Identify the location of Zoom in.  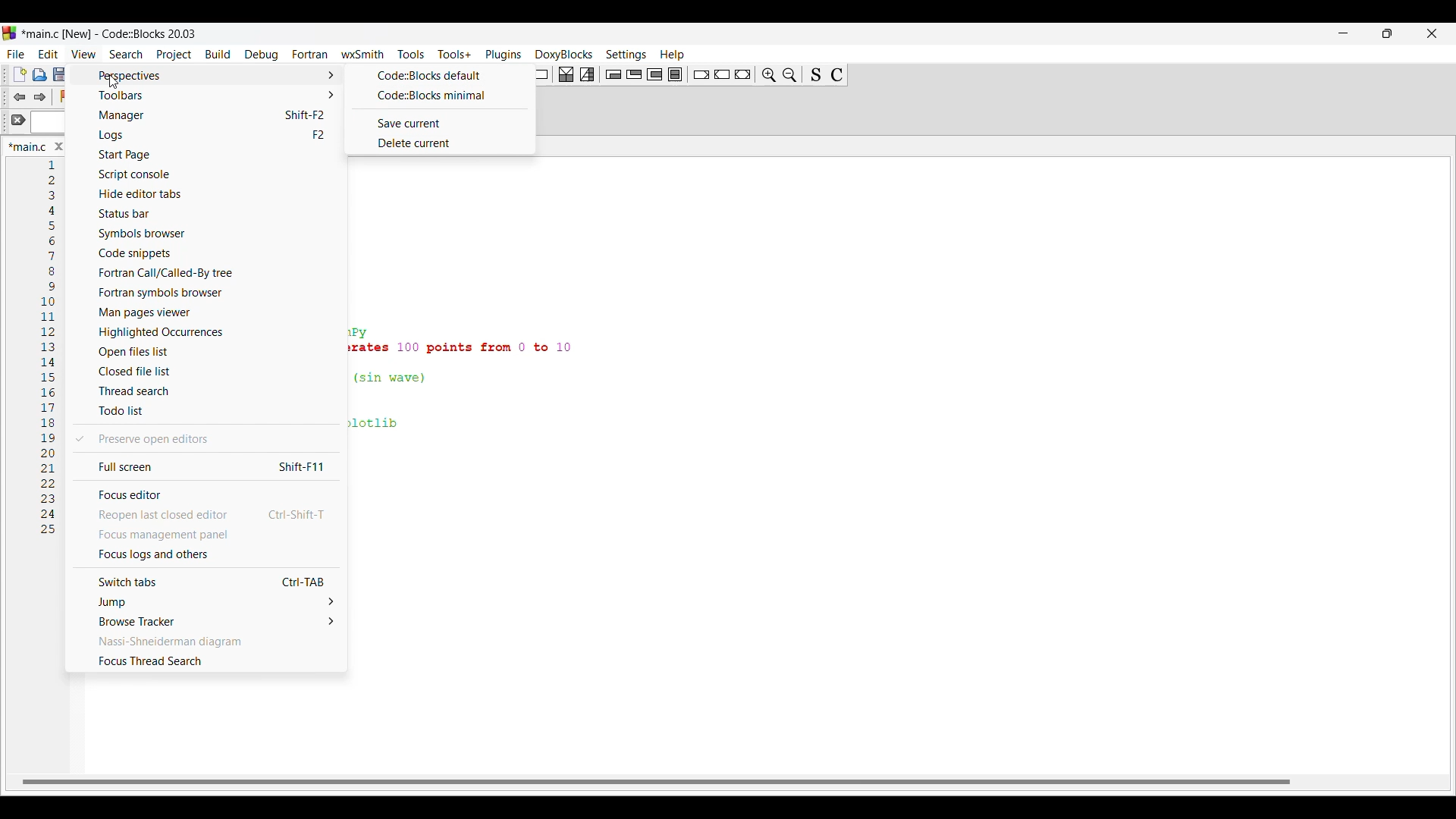
(769, 74).